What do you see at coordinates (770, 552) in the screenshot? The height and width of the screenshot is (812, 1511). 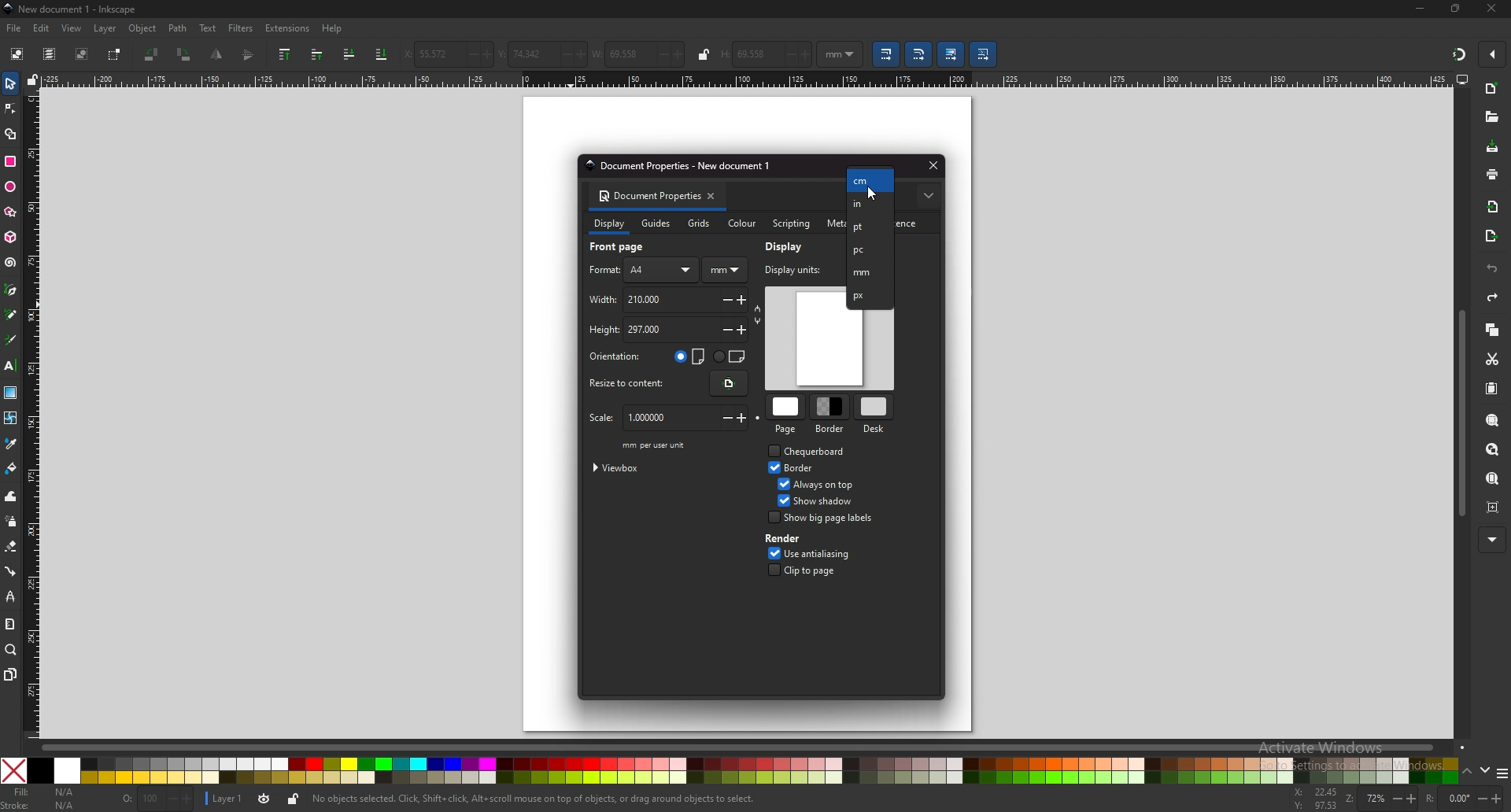 I see `Checkbox` at bounding box center [770, 552].